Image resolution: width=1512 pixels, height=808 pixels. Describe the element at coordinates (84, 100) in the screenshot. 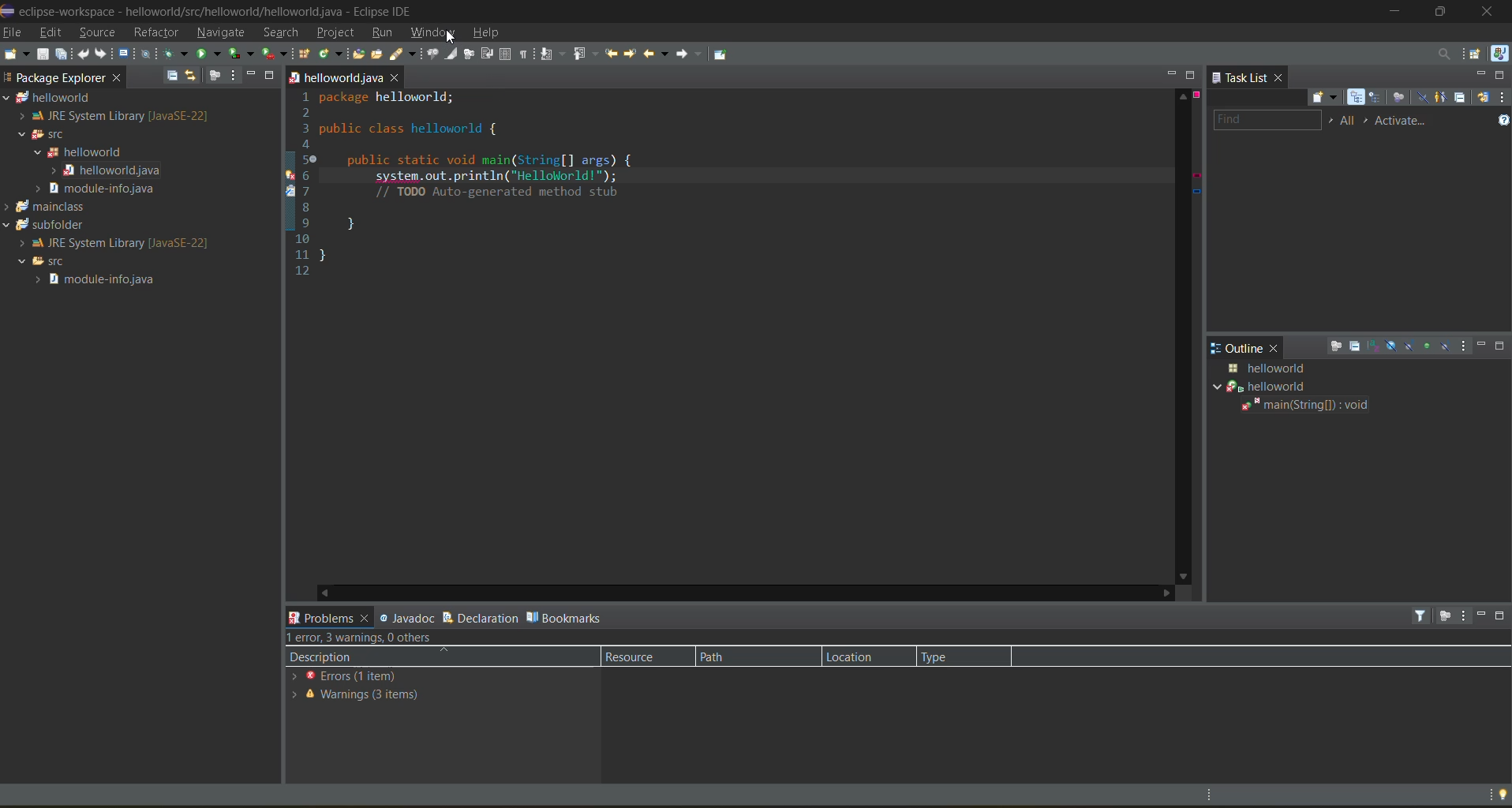

I see `helloworld` at that location.